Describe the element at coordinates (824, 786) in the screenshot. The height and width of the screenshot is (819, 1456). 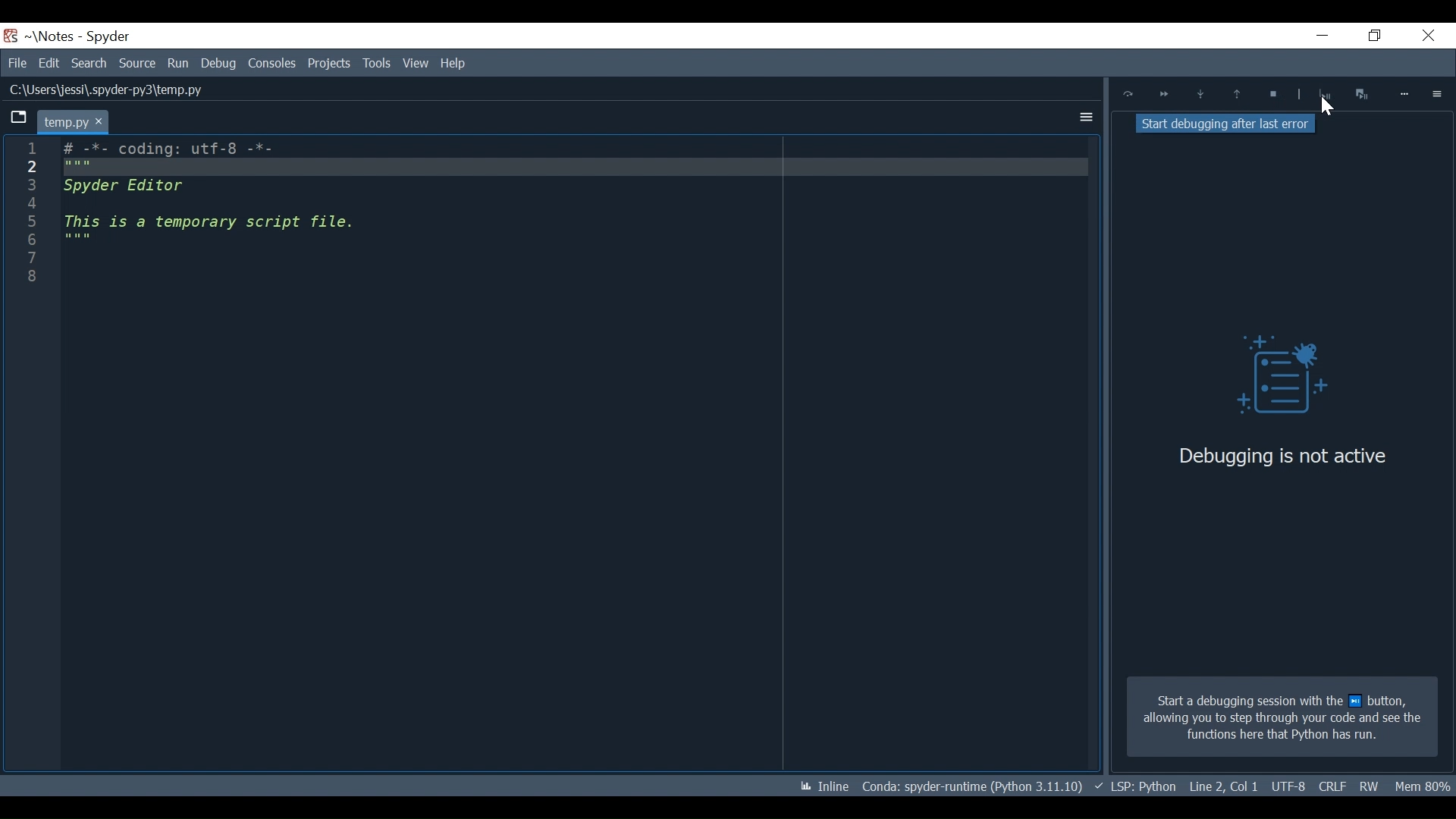
I see `Toggle inline and interactive Matplotlib plotting` at that location.